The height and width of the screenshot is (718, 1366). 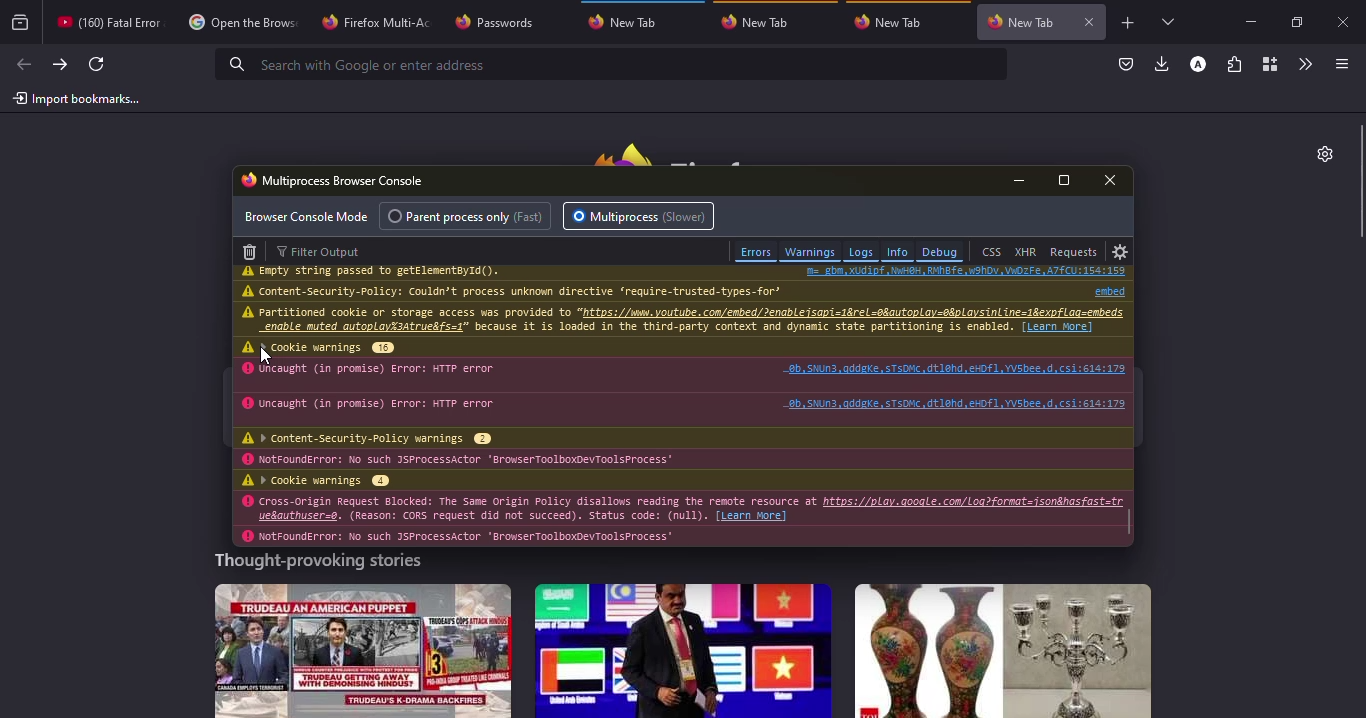 I want to click on tab, so click(x=1022, y=19).